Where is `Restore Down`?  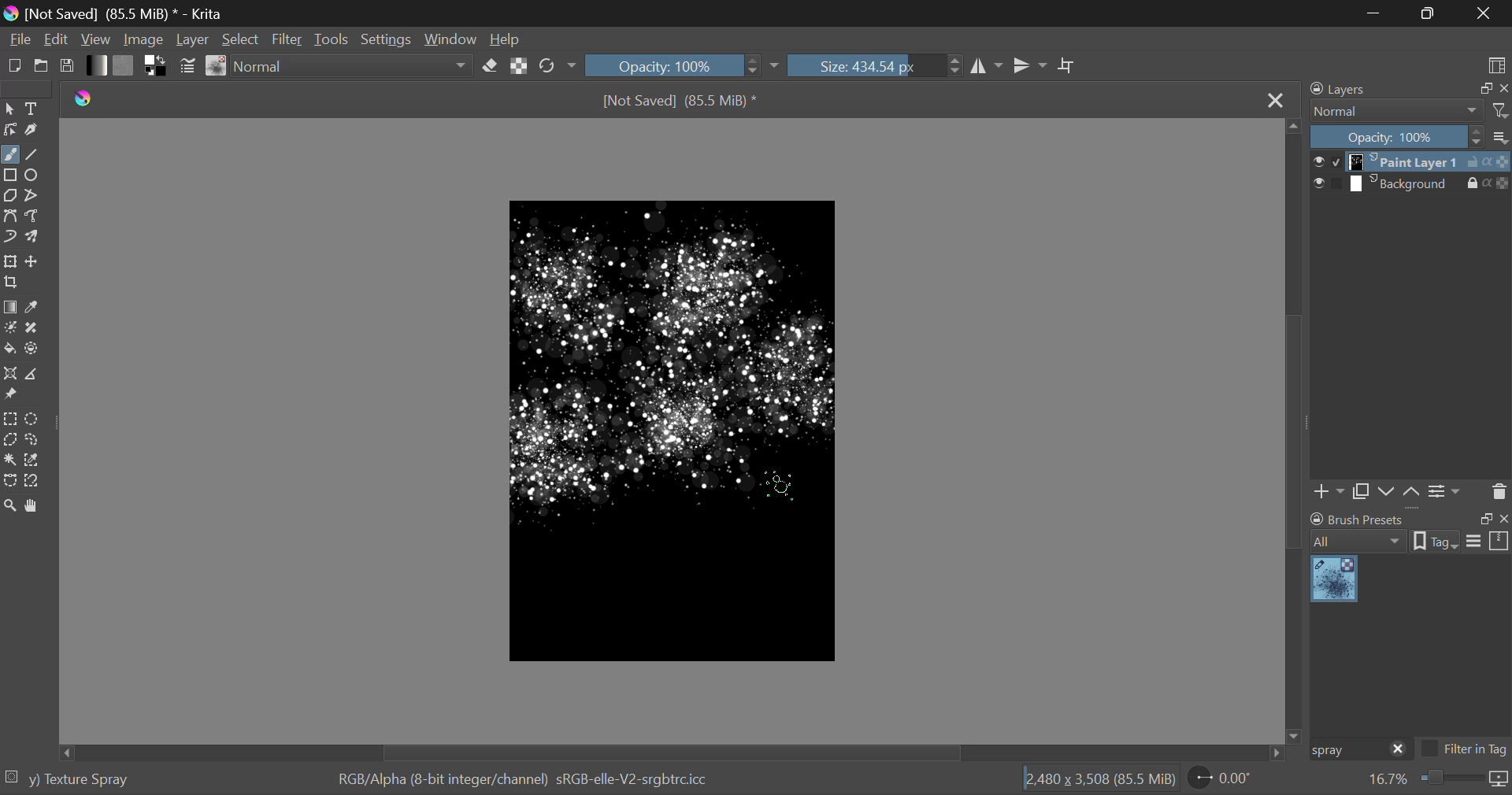 Restore Down is located at coordinates (1378, 13).